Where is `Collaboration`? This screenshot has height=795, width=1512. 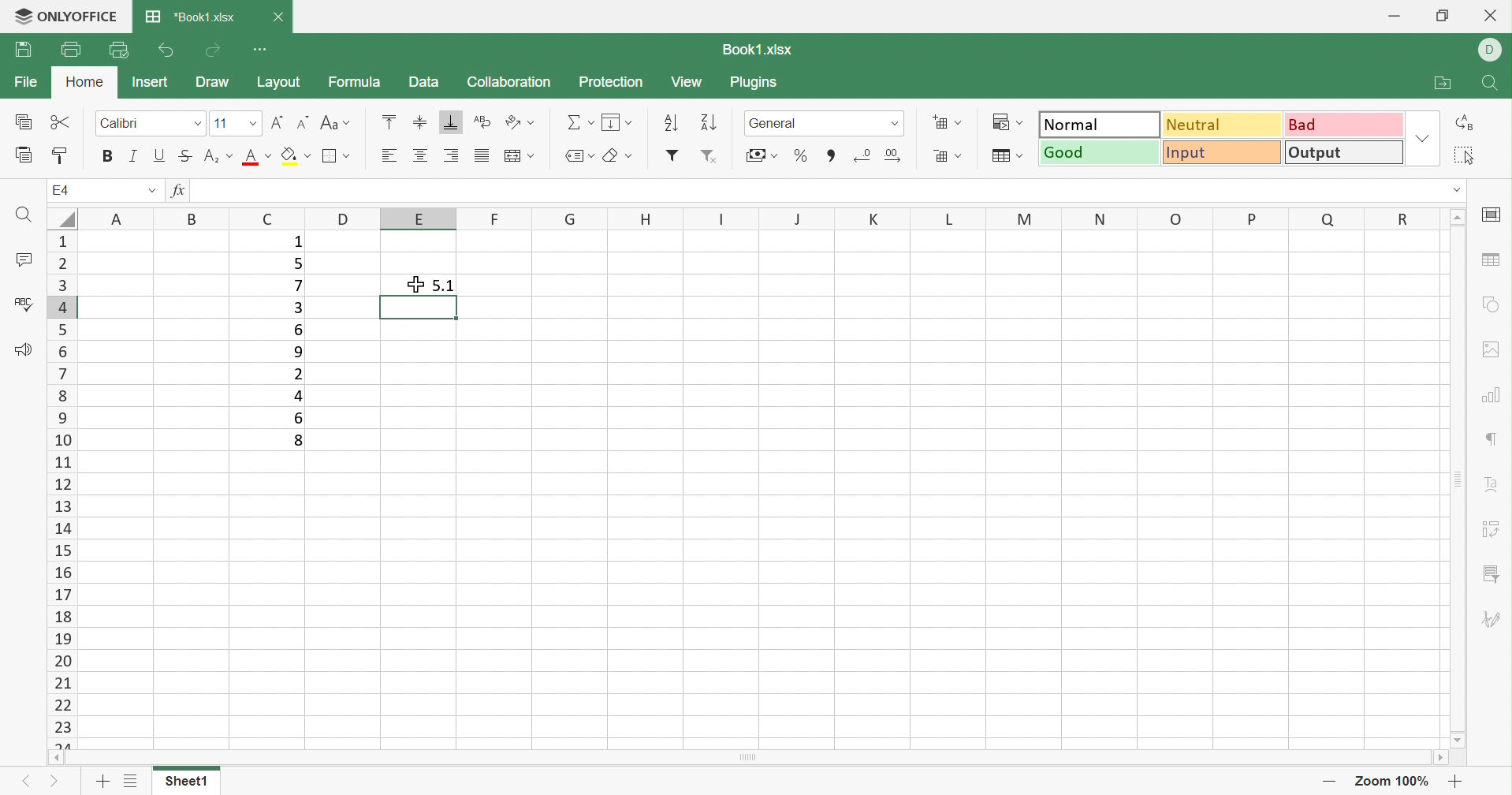 Collaboration is located at coordinates (515, 82).